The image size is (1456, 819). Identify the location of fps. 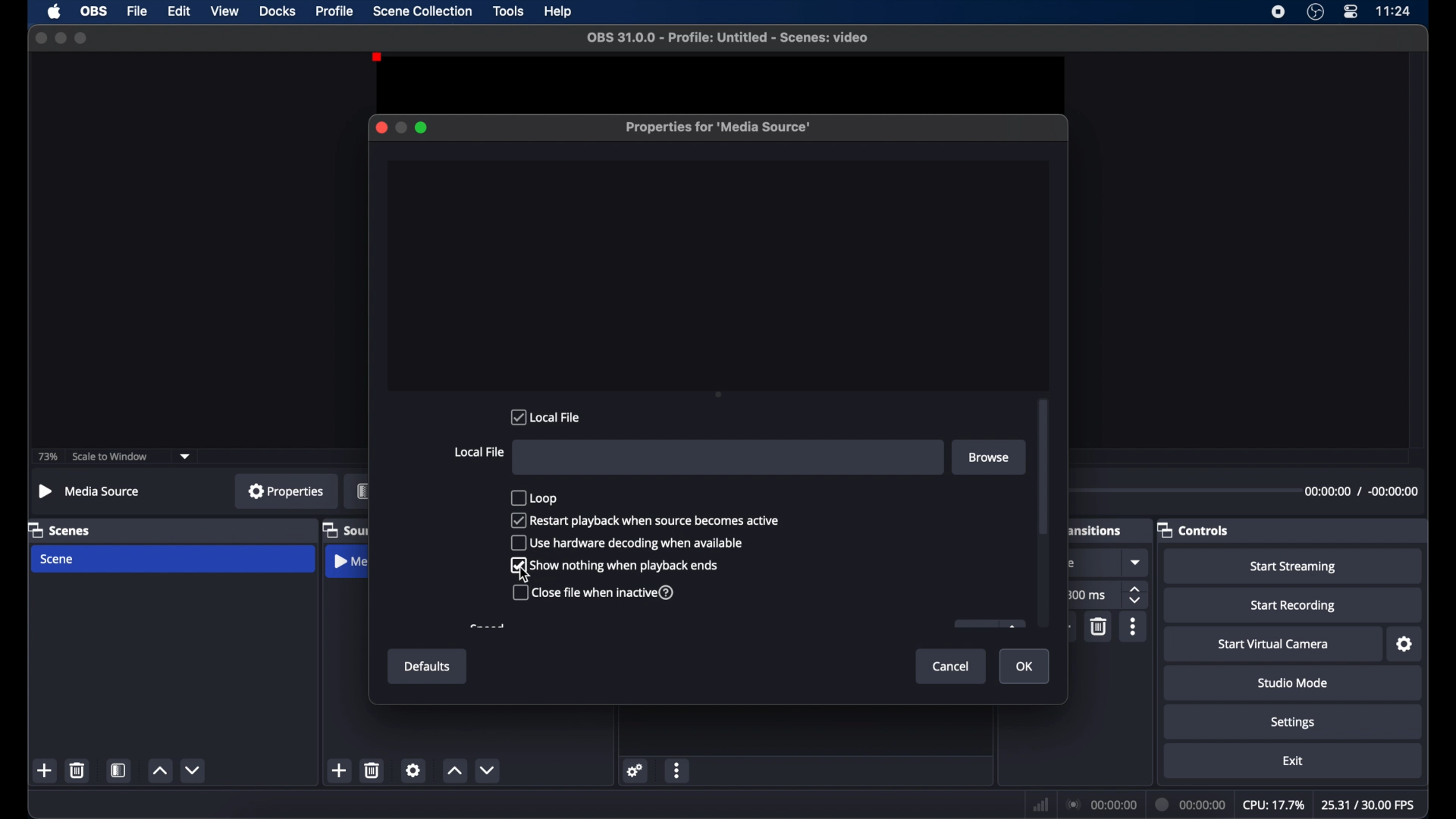
(1368, 805).